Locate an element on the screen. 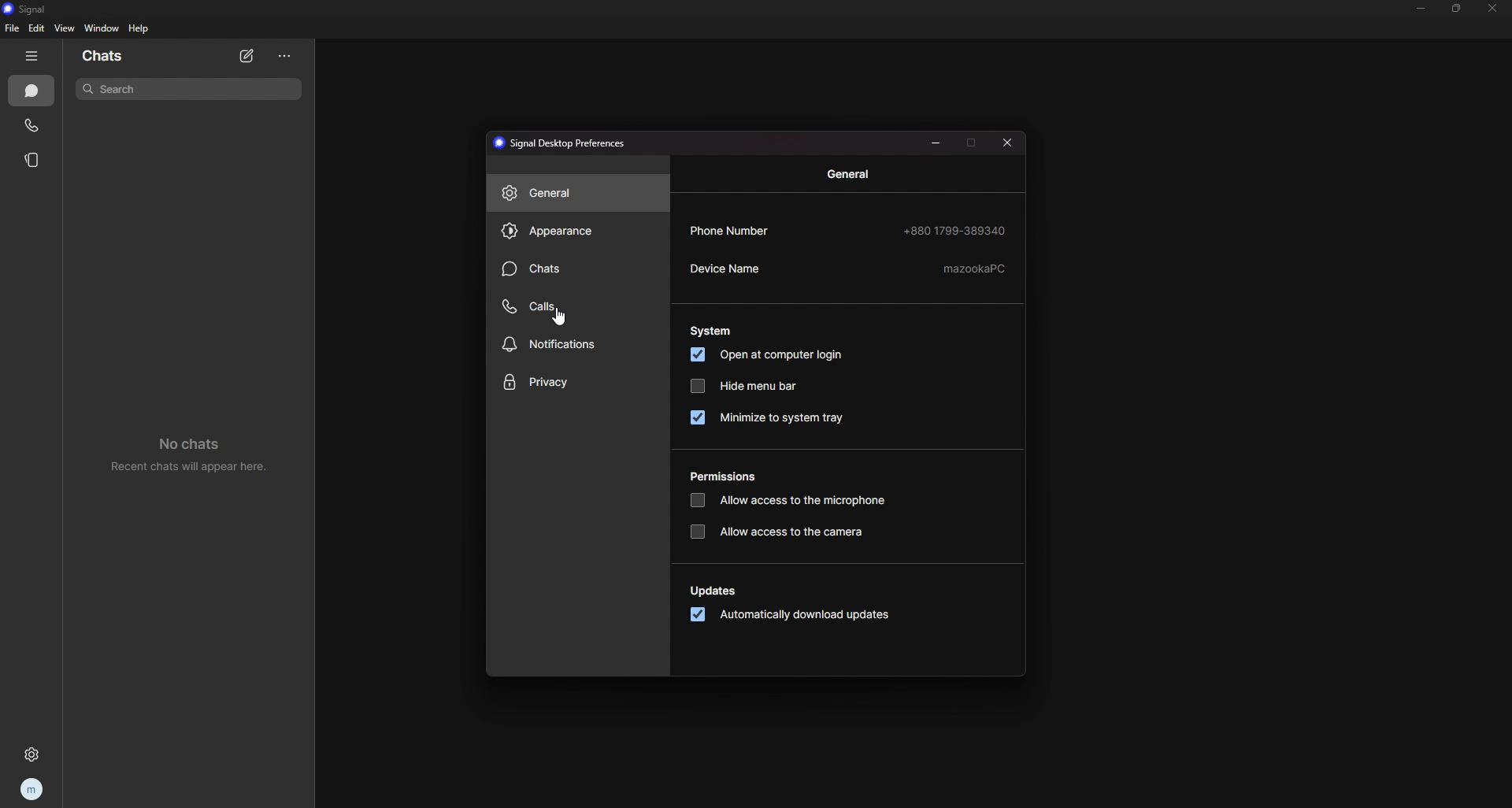  stories is located at coordinates (34, 161).